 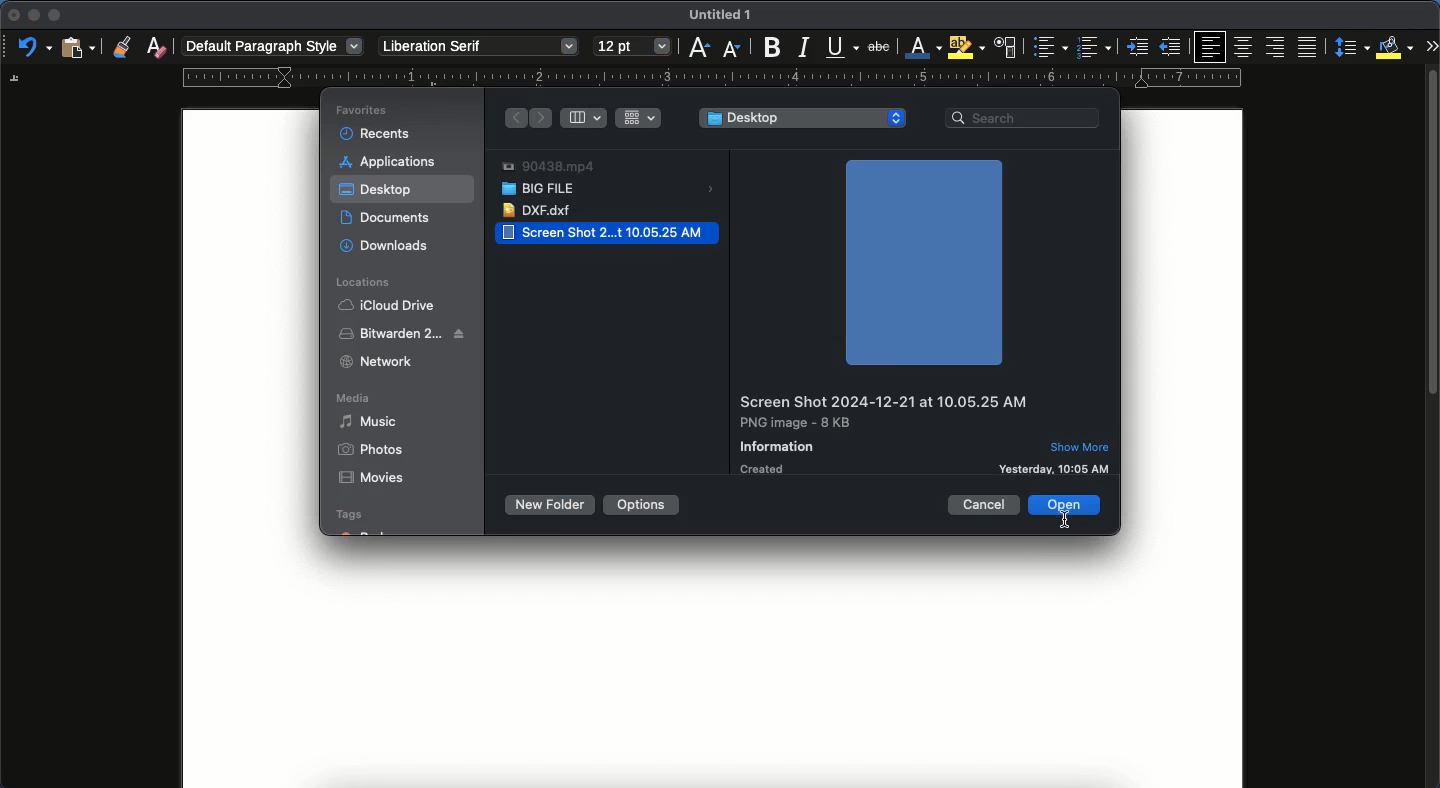 I want to click on new folder, so click(x=547, y=505).